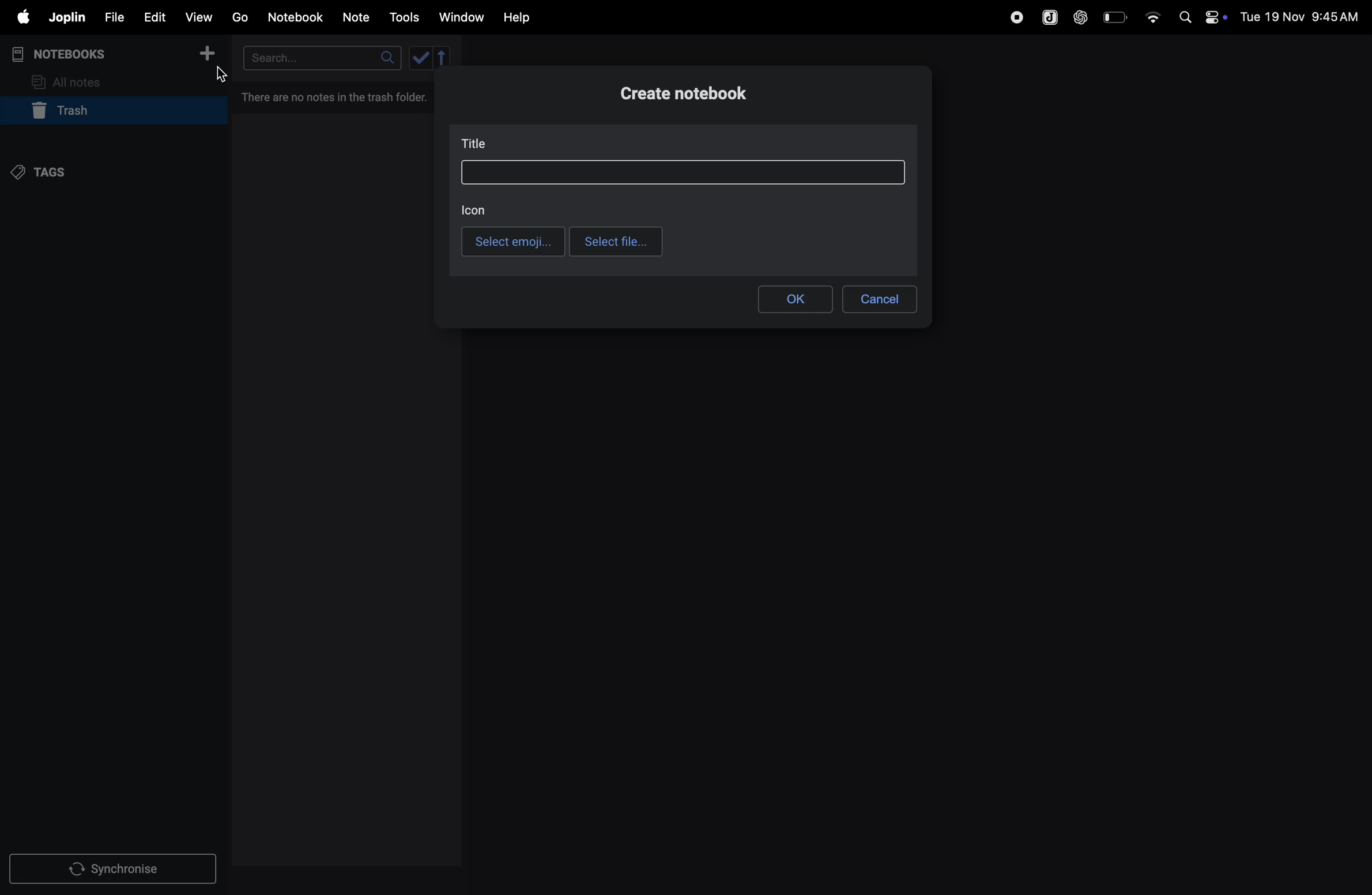 Image resolution: width=1372 pixels, height=895 pixels. I want to click on Create Notebook, so click(689, 95).